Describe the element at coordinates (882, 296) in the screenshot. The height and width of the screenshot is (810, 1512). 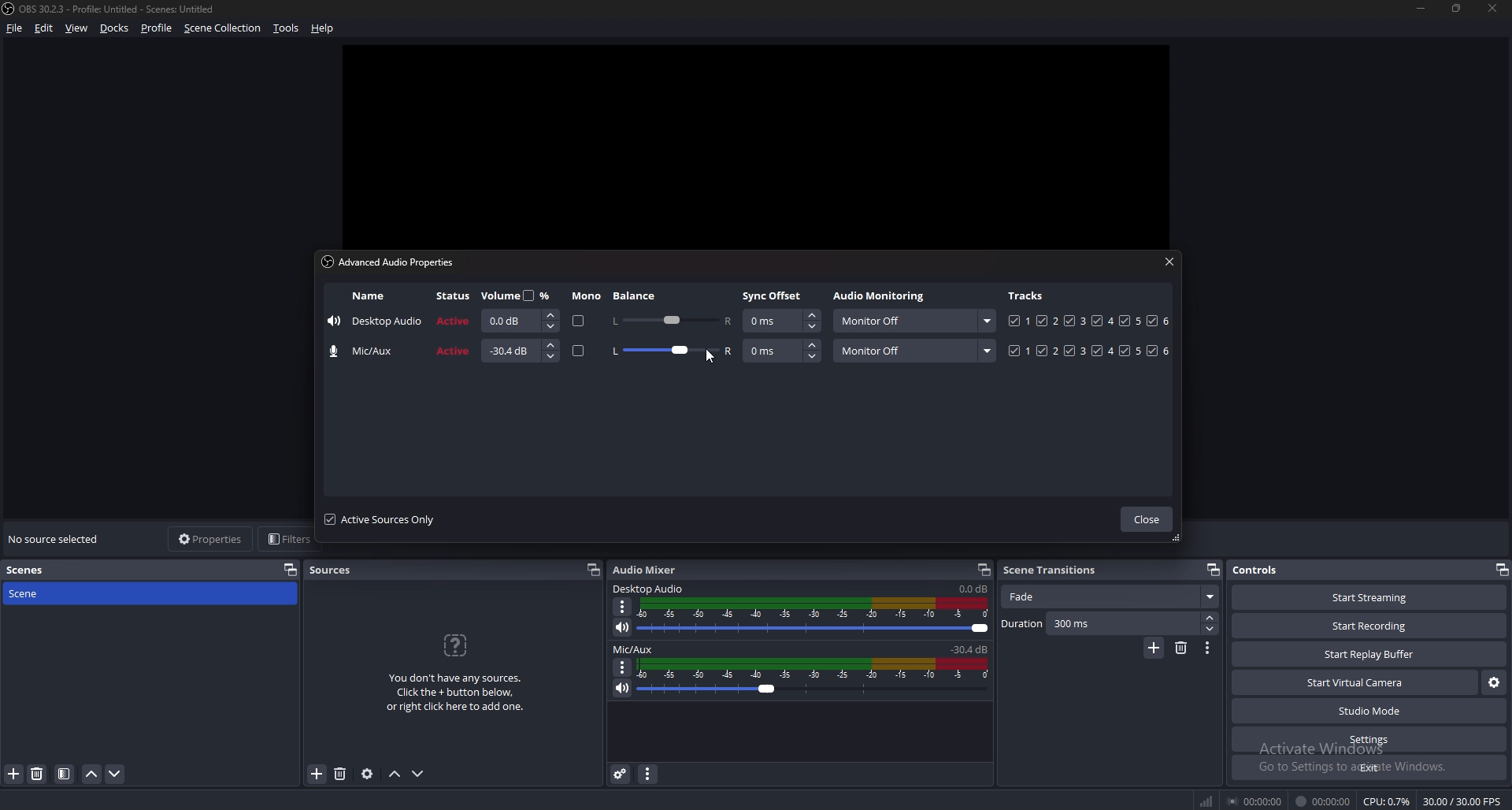
I see `audio monitoring` at that location.